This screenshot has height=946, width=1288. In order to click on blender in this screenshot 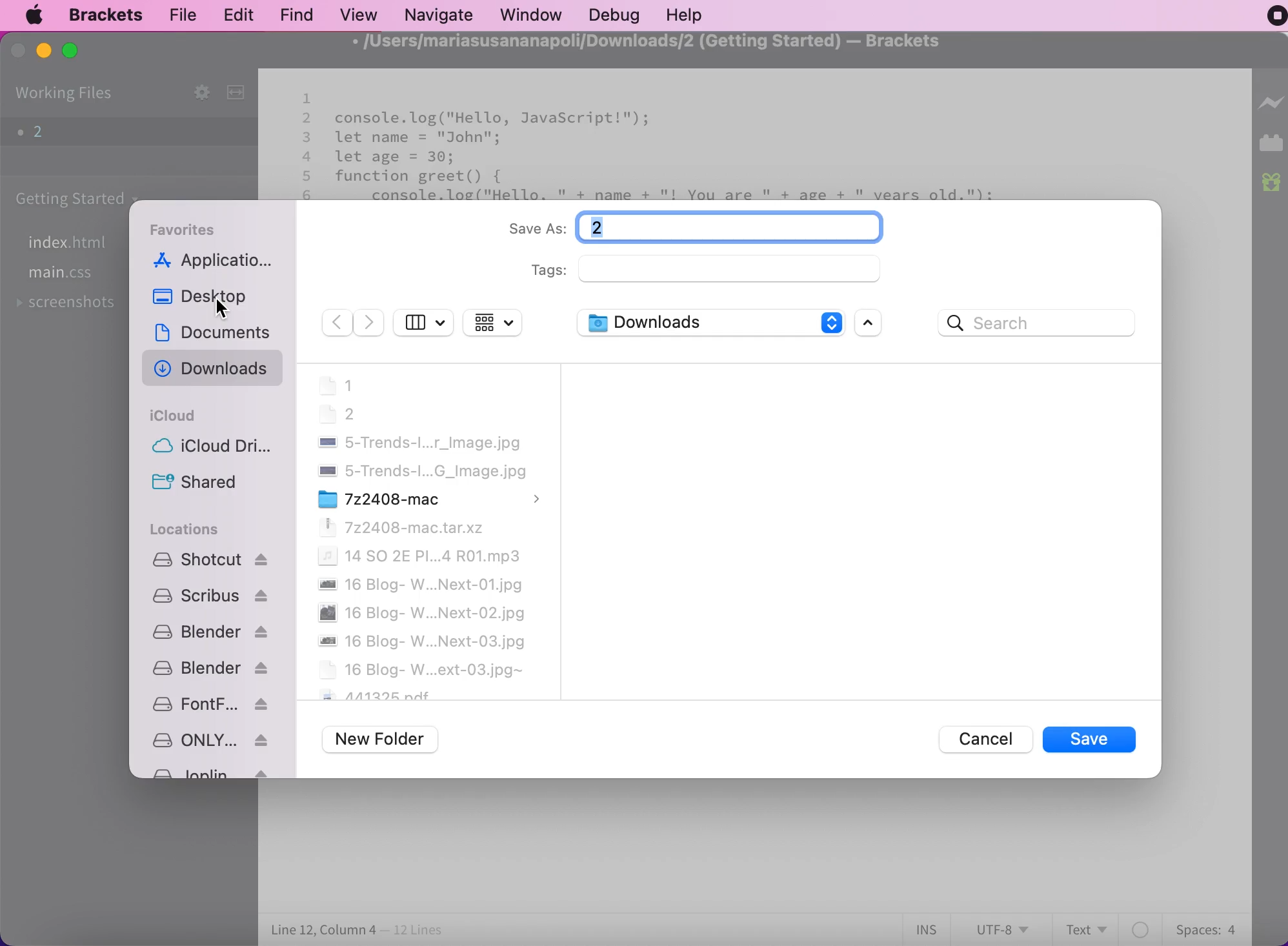, I will do `click(210, 632)`.